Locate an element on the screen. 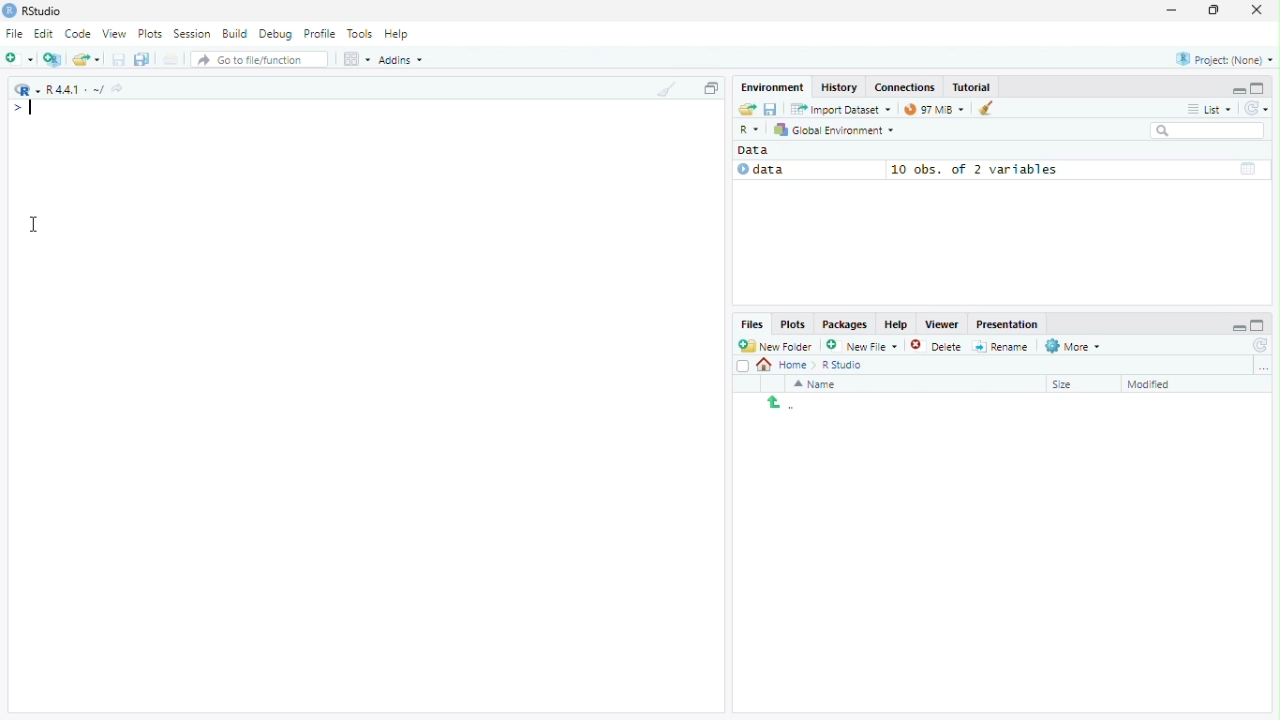 This screenshot has height=720, width=1280. Session is located at coordinates (193, 33).